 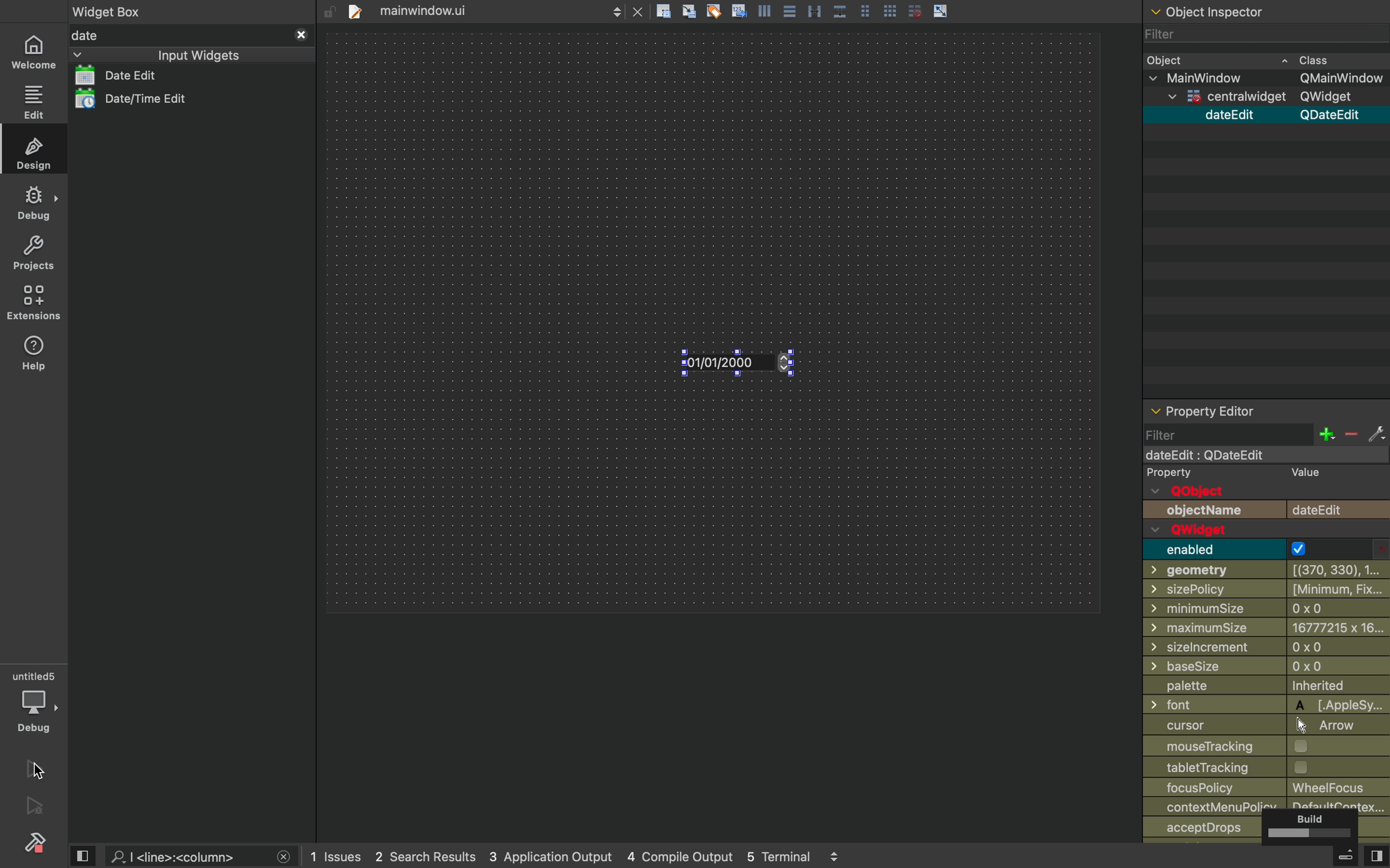 What do you see at coordinates (1266, 511) in the screenshot?
I see `object name` at bounding box center [1266, 511].